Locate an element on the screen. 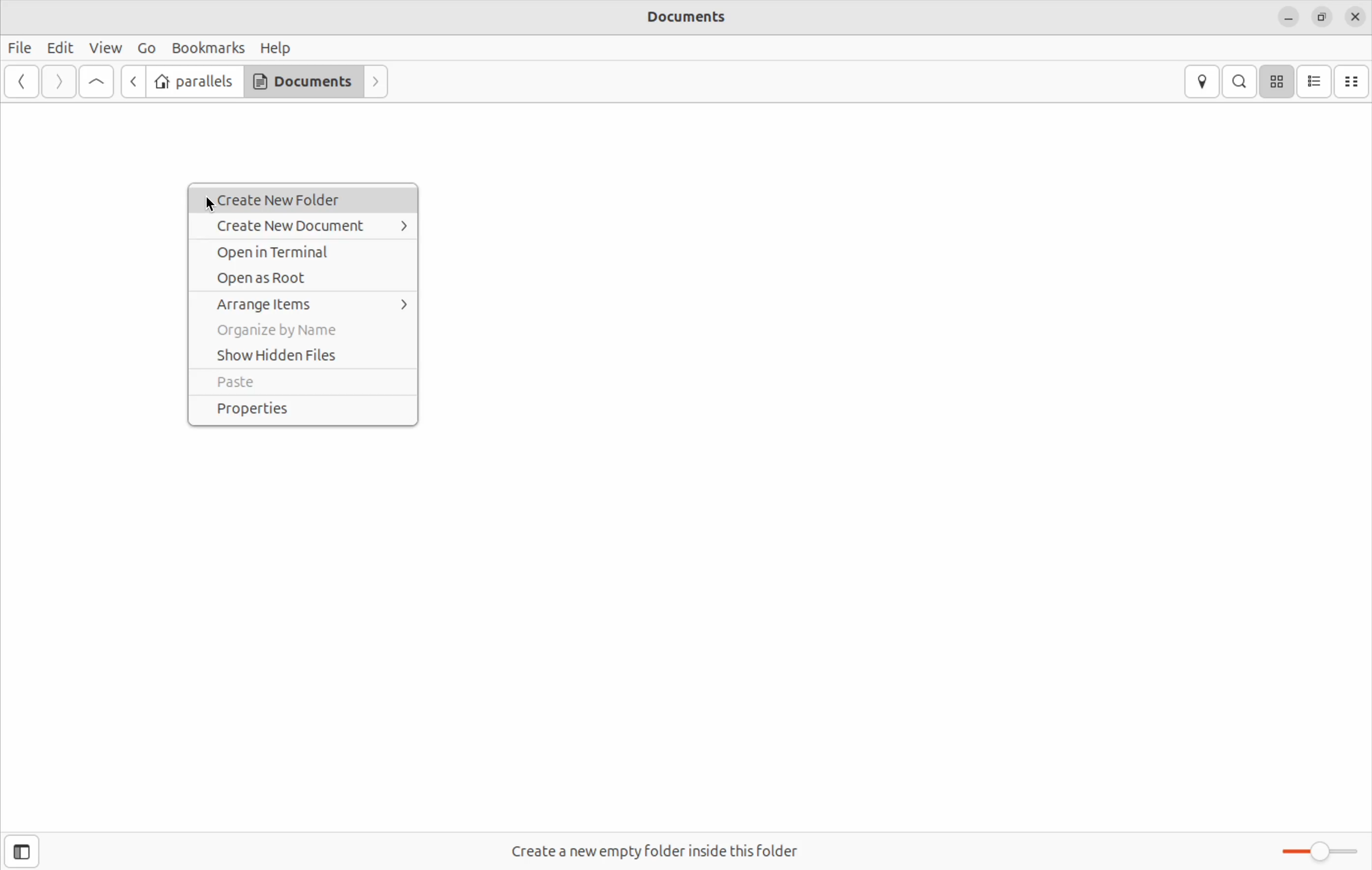 This screenshot has width=1372, height=870. Edit is located at coordinates (60, 47).